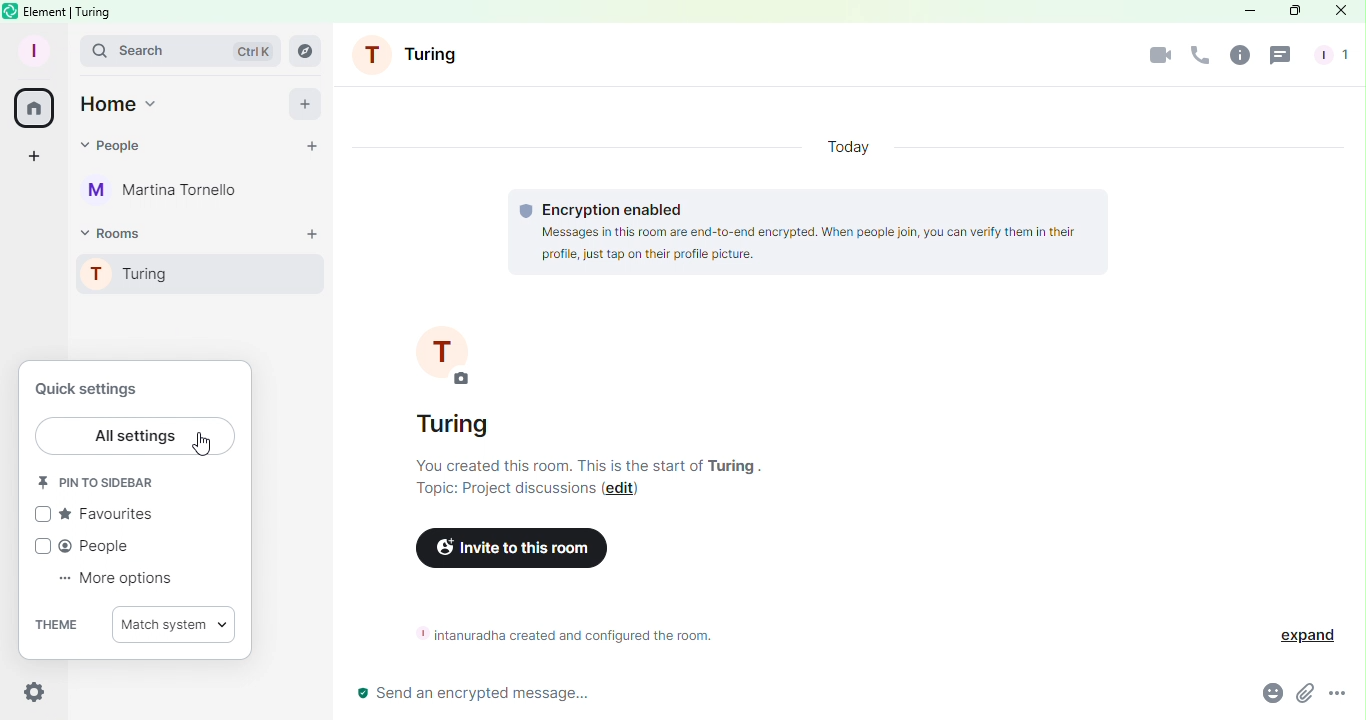 This screenshot has width=1366, height=720. Describe the element at coordinates (1305, 697) in the screenshot. I see `Attachment` at that location.